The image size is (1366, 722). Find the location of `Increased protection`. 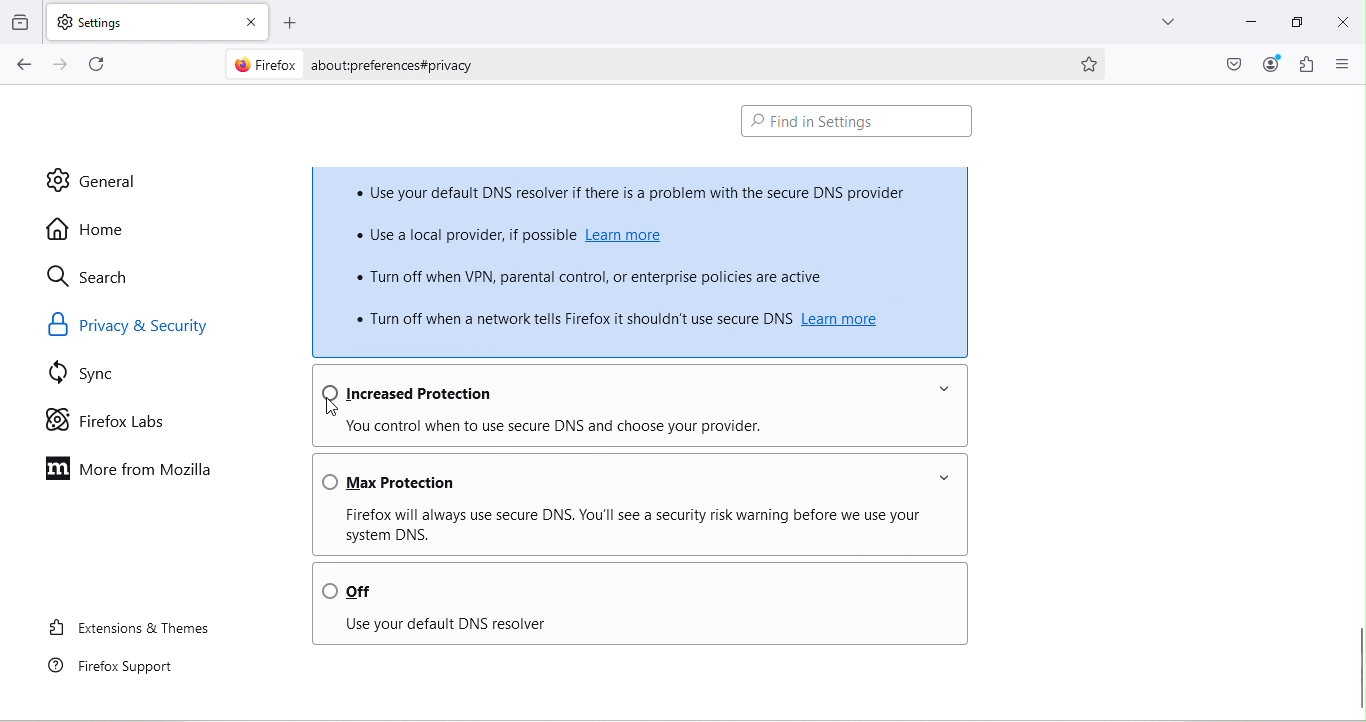

Increased protection is located at coordinates (636, 388).